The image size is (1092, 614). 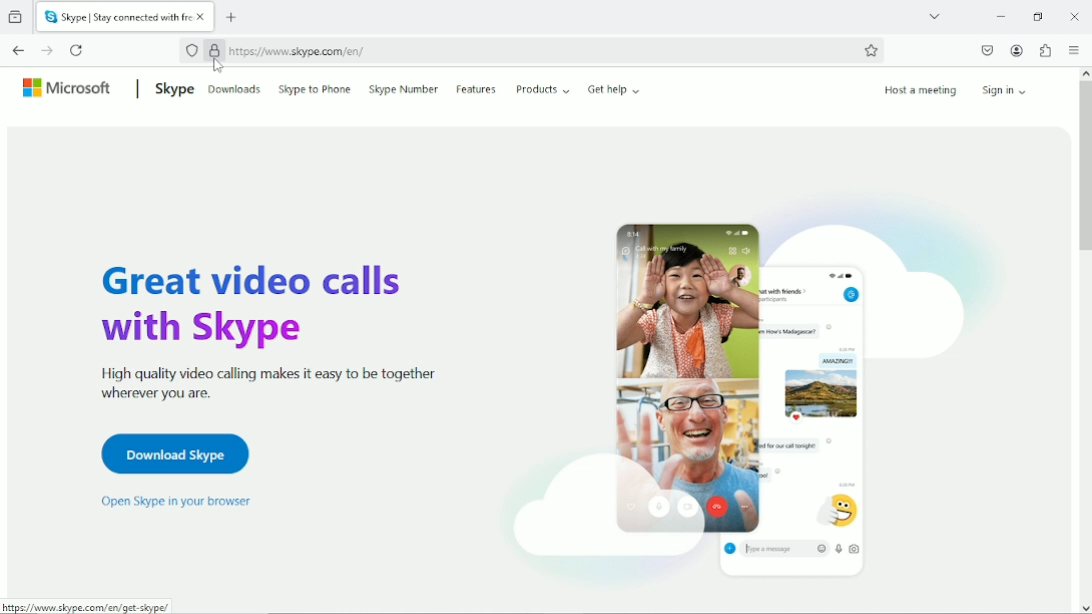 What do you see at coordinates (919, 90) in the screenshot?
I see `Host a meeting` at bounding box center [919, 90].